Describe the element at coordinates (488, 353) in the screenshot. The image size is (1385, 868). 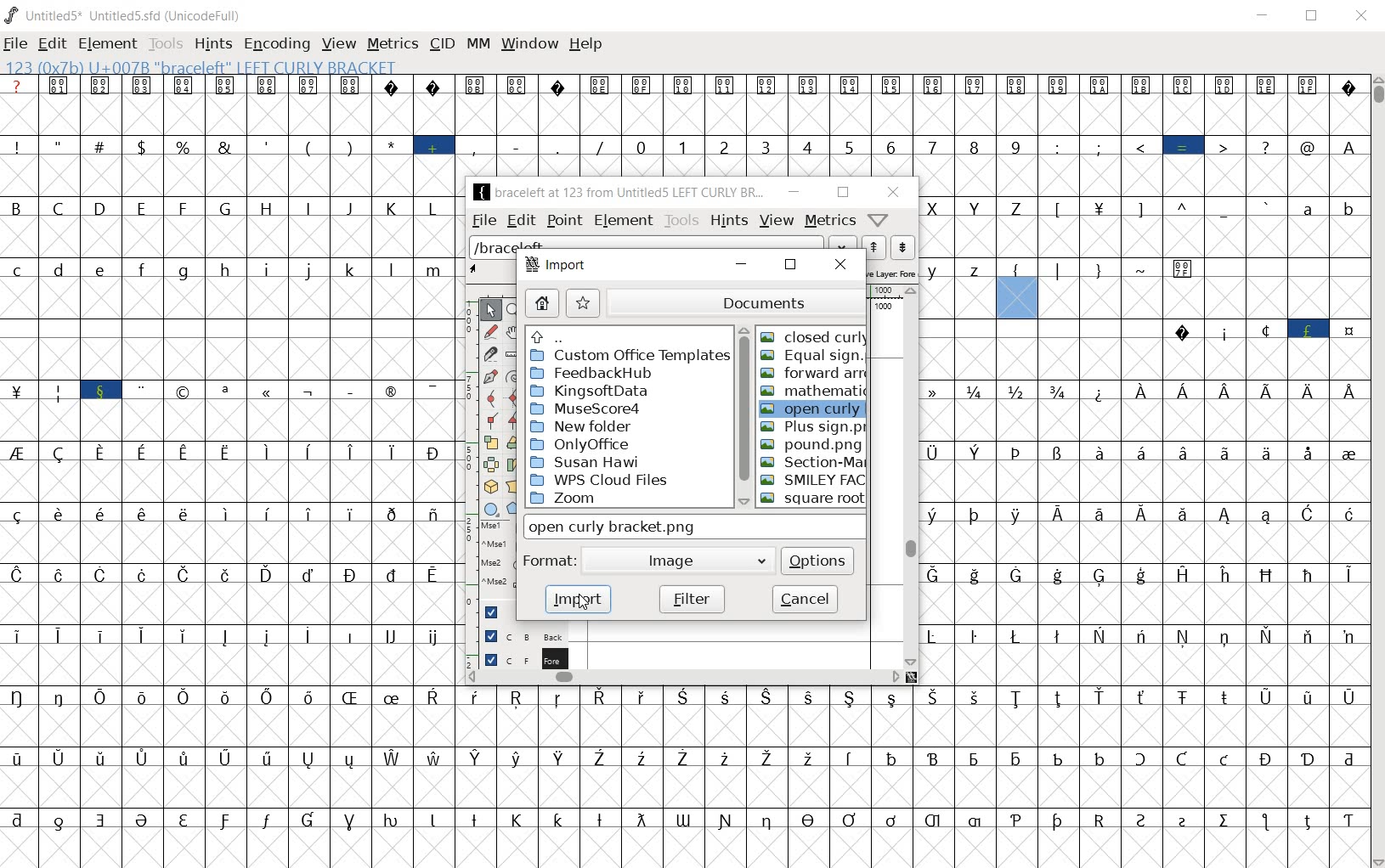
I see `cut splines in two` at that location.